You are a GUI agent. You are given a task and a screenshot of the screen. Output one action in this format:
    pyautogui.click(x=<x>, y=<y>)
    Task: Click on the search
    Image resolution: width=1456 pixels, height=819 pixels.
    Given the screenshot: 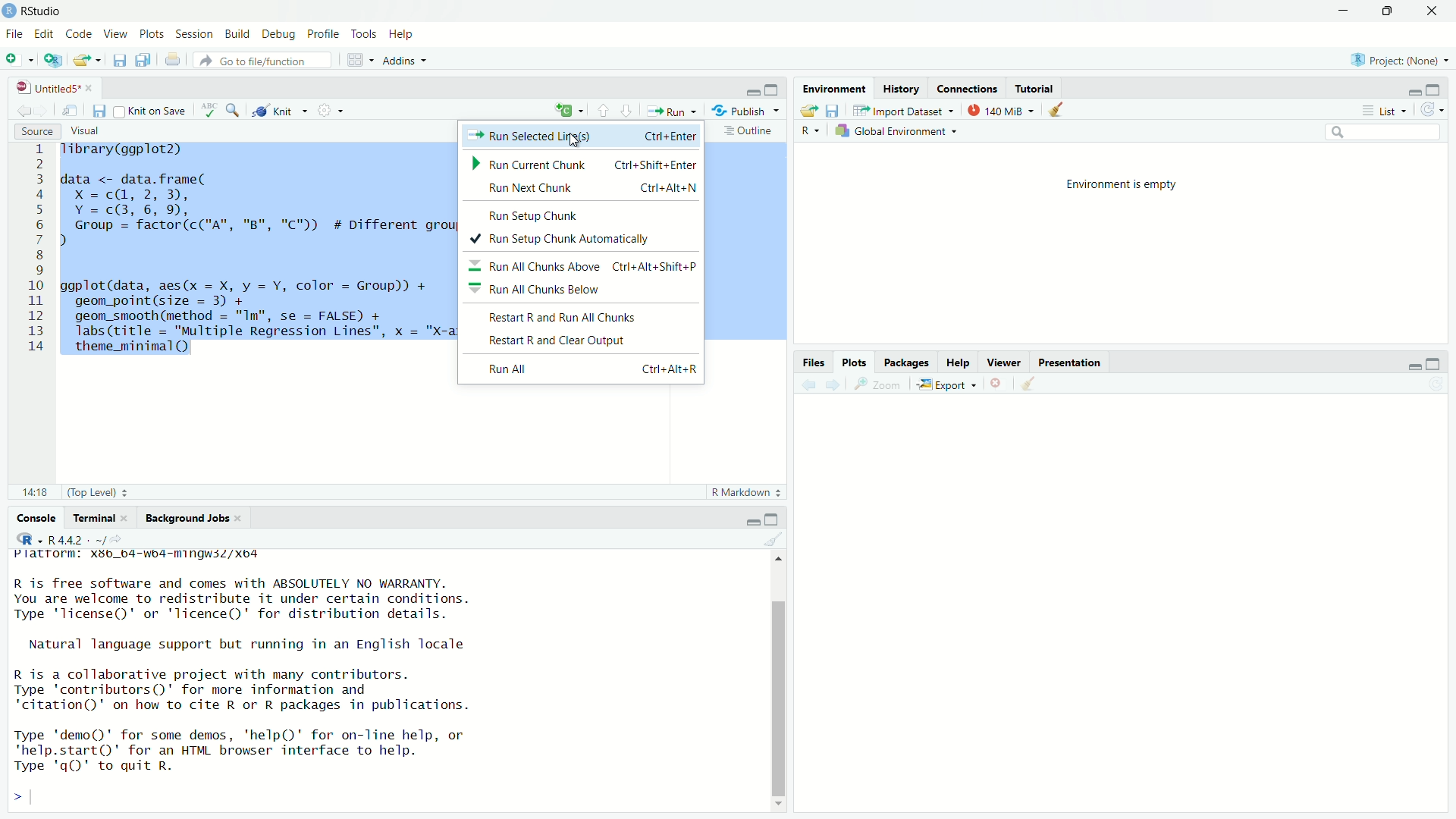 What is the action you would take?
    pyautogui.click(x=1392, y=131)
    